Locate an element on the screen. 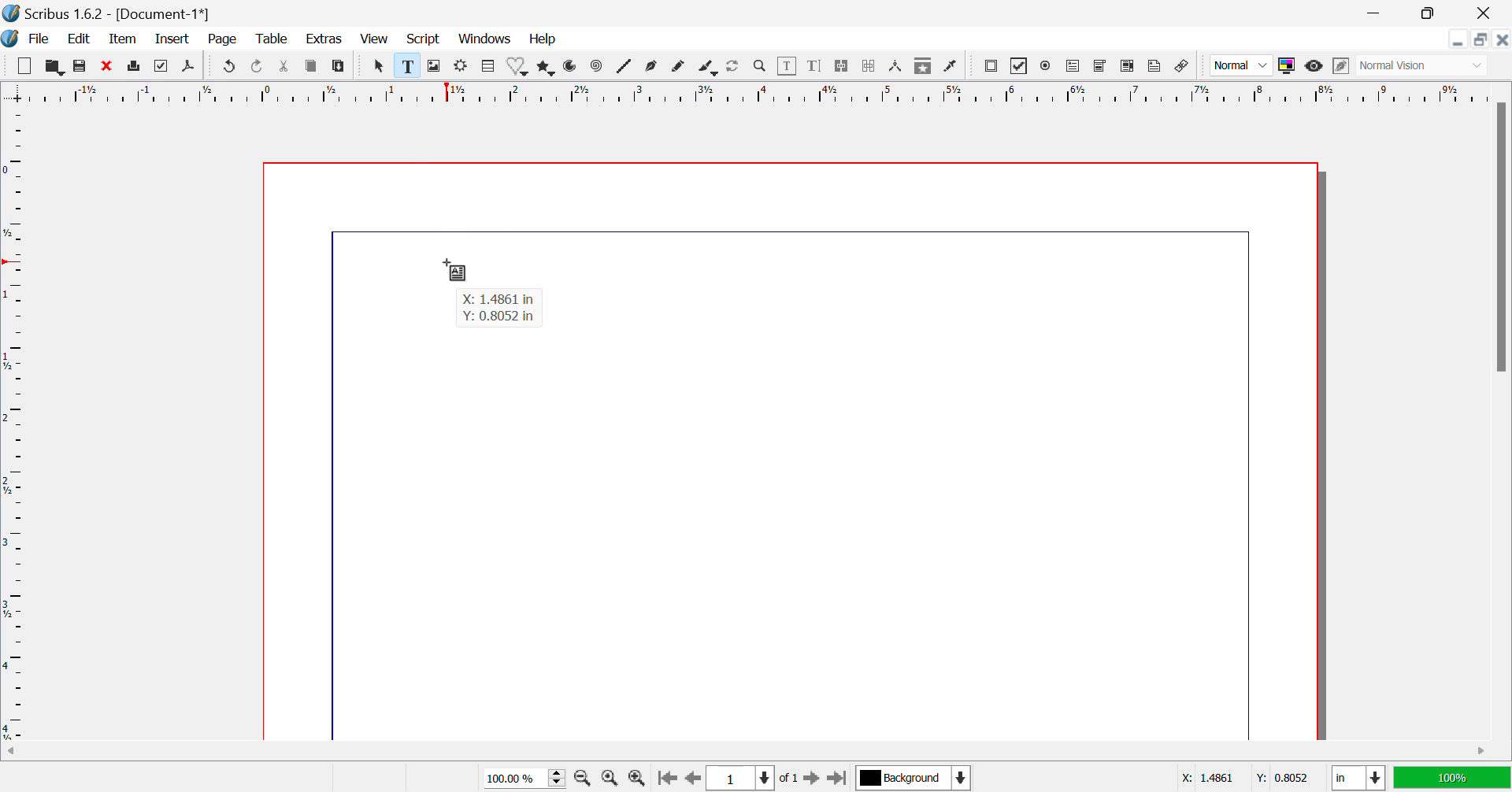 Image resolution: width=1512 pixels, height=792 pixels. Save is located at coordinates (79, 66).